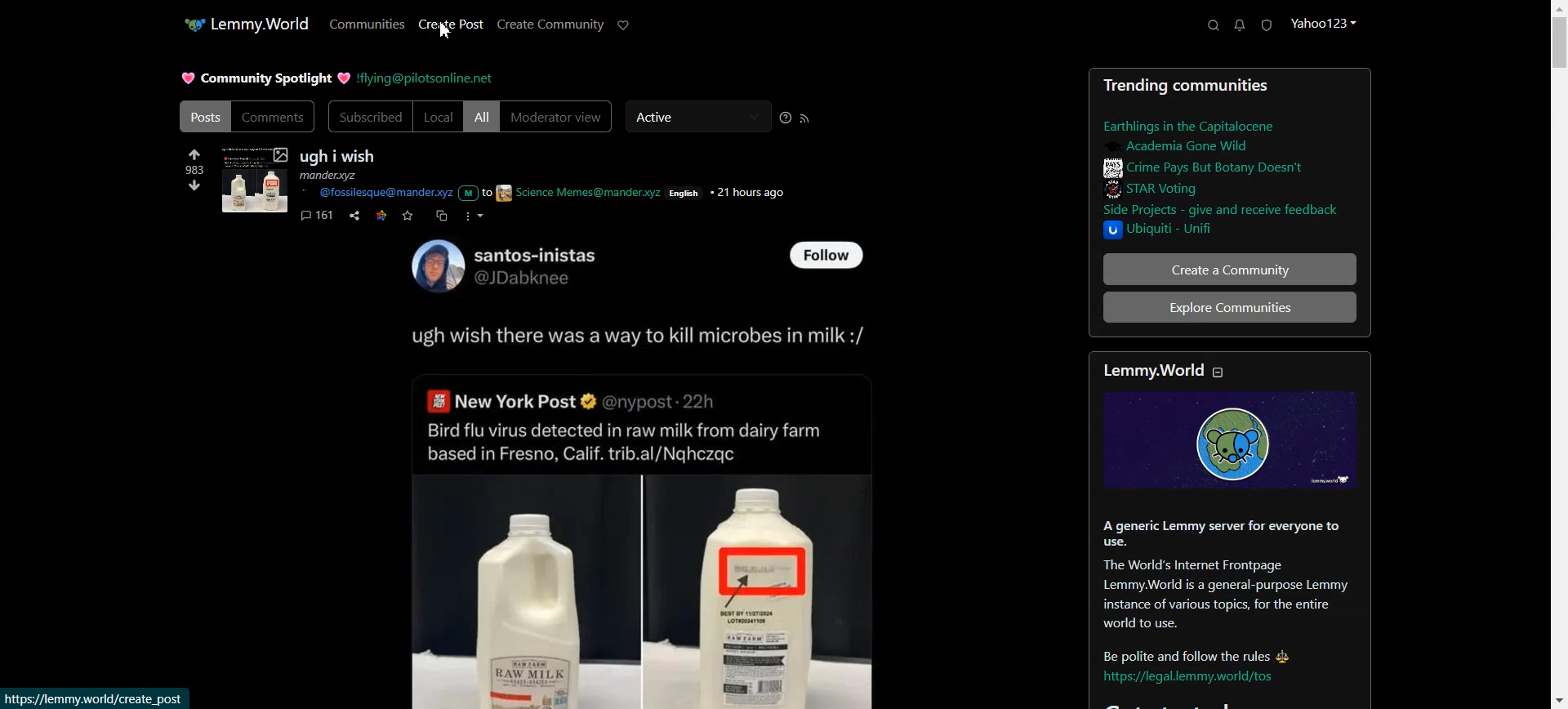  Describe the element at coordinates (441, 216) in the screenshot. I see `Cross-post` at that location.